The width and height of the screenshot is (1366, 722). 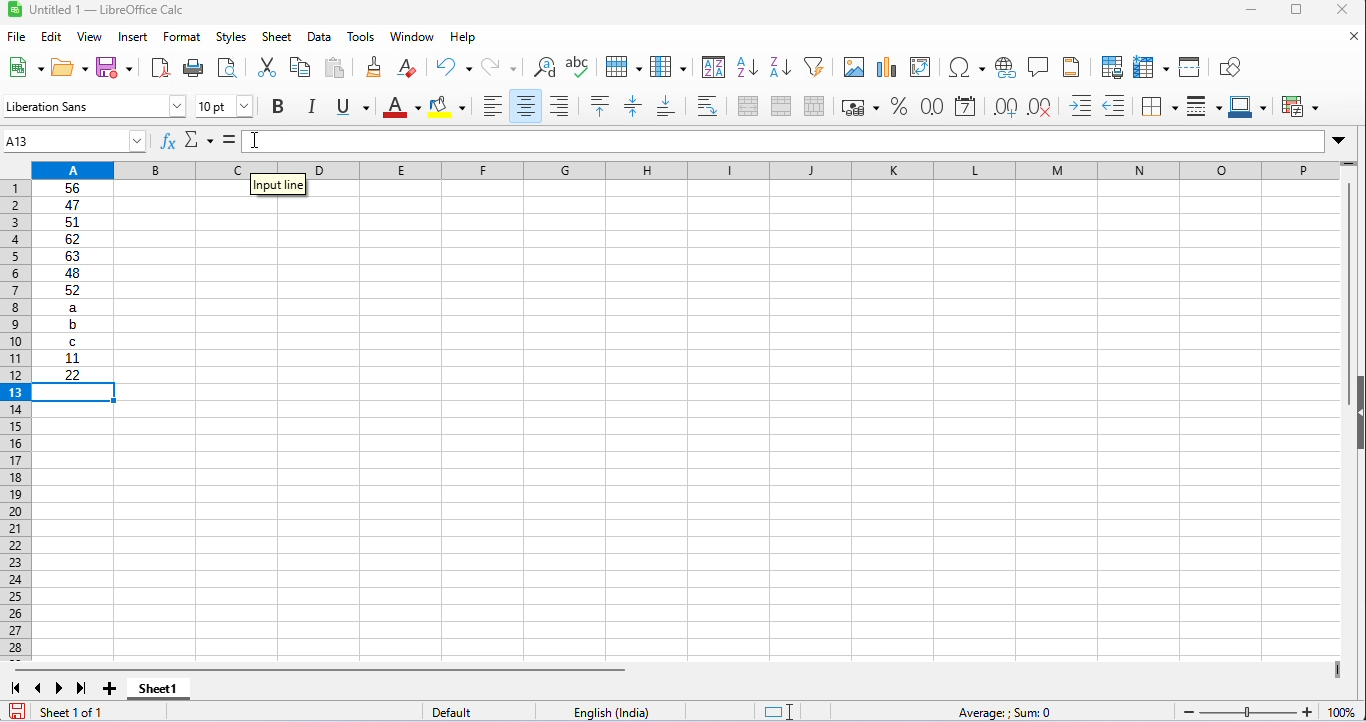 What do you see at coordinates (278, 188) in the screenshot?
I see `input line` at bounding box center [278, 188].